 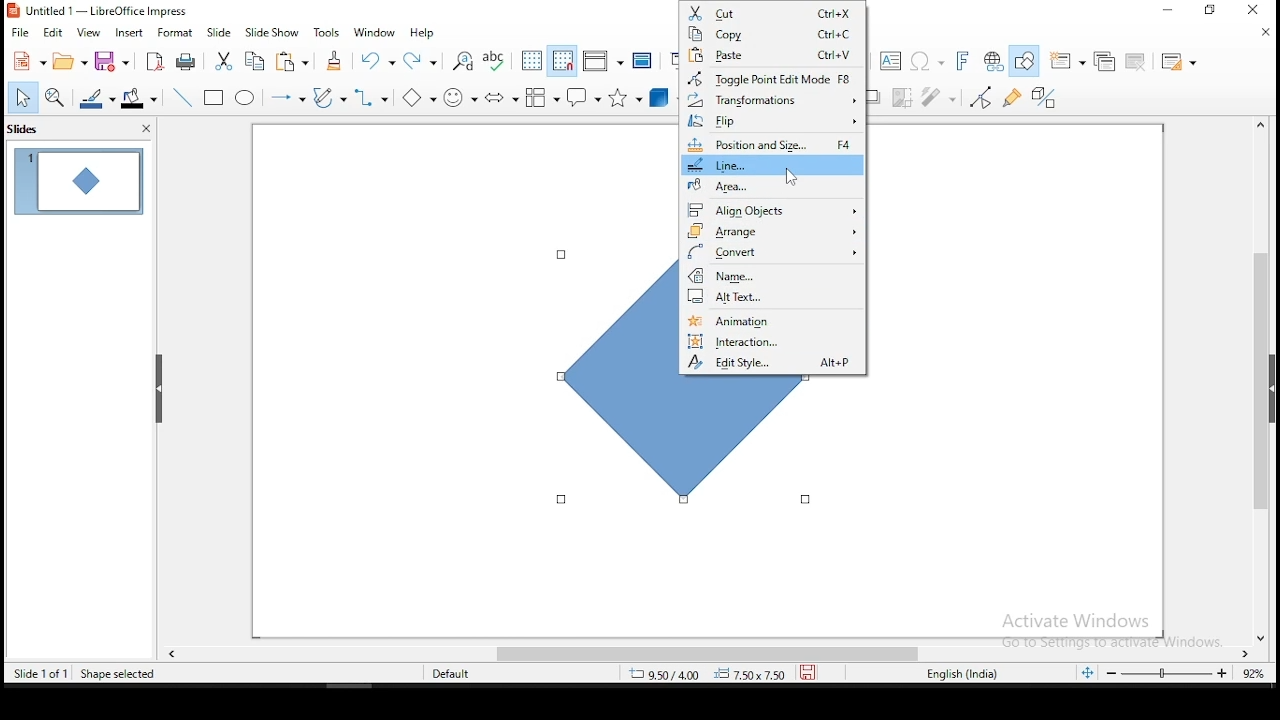 What do you see at coordinates (95, 99) in the screenshot?
I see `line color` at bounding box center [95, 99].